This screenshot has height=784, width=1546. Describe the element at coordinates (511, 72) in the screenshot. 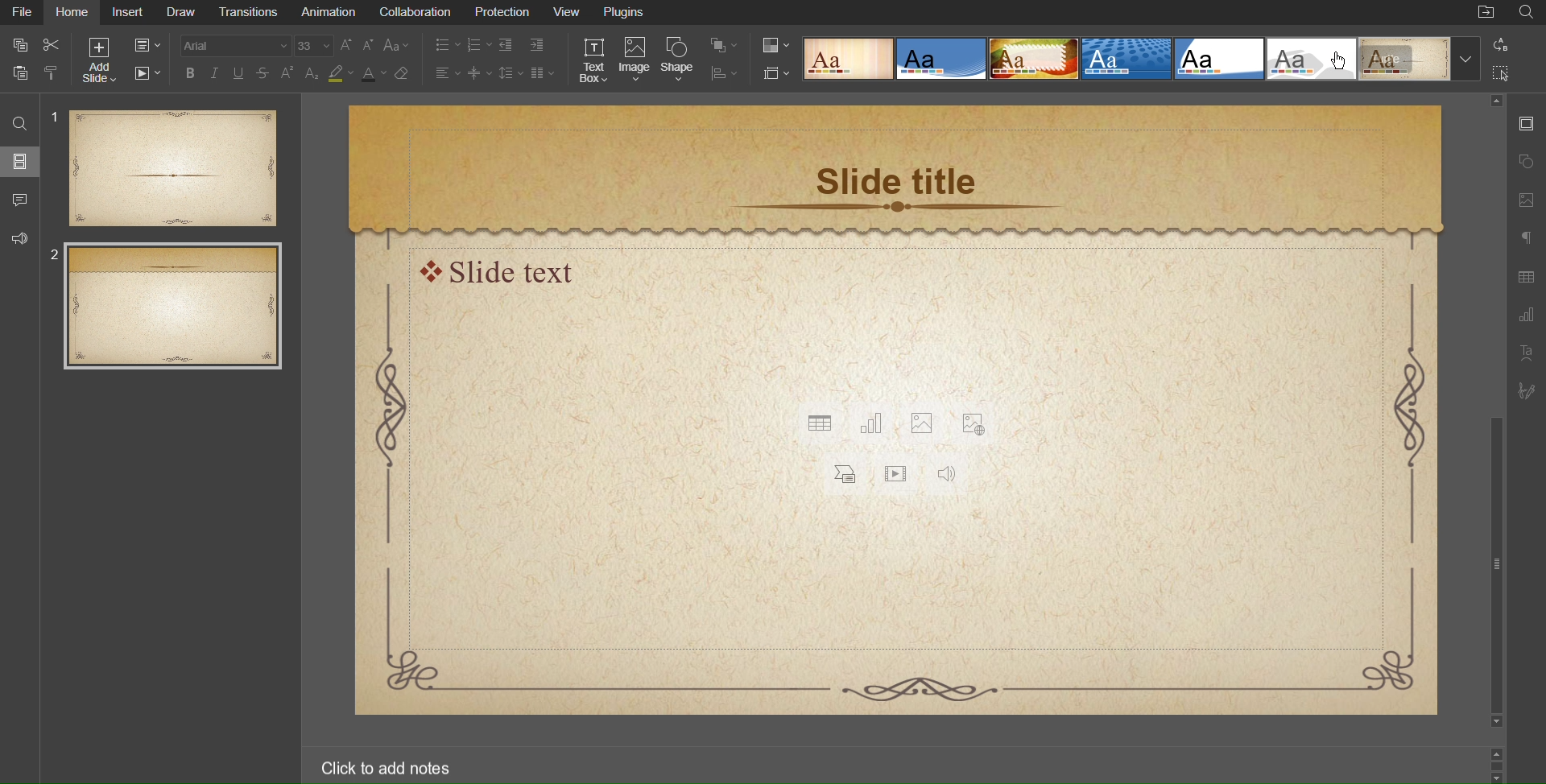

I see `Line Spacing` at that location.